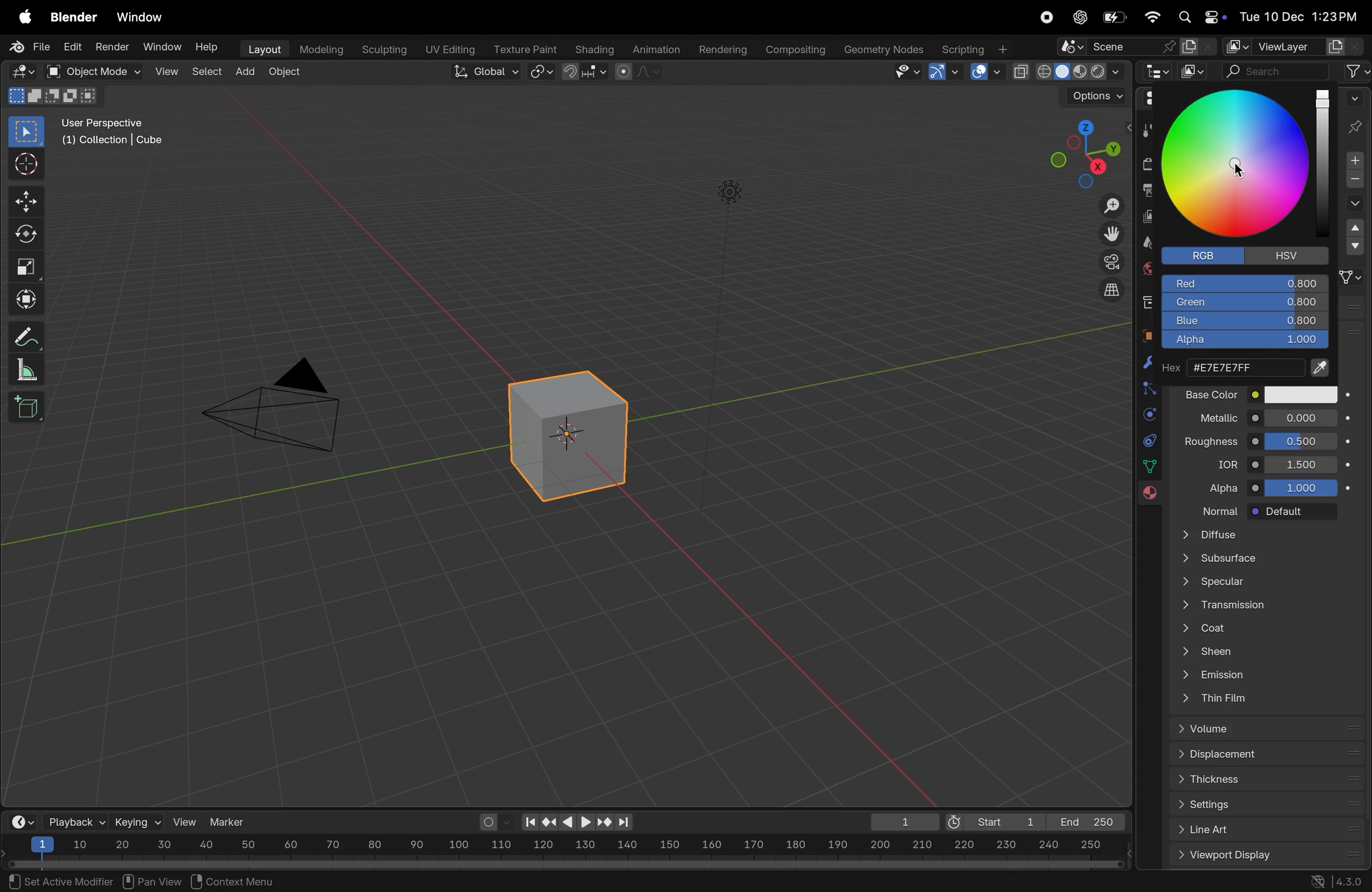 Image resolution: width=1372 pixels, height=892 pixels. Describe the element at coordinates (26, 407) in the screenshot. I see `3D cube` at that location.